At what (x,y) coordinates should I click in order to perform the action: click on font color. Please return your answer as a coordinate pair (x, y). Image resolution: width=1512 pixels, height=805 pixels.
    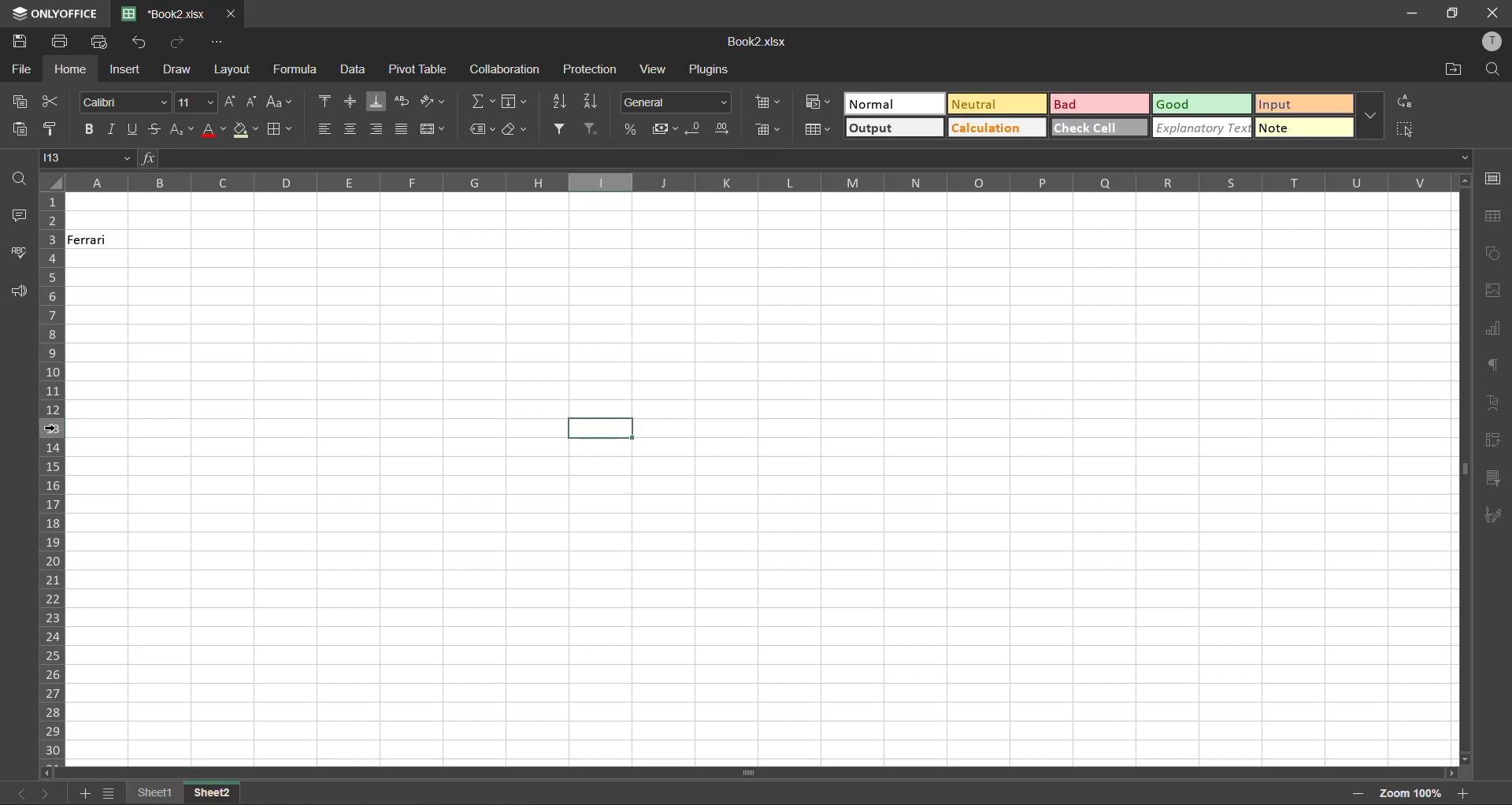
    Looking at the image, I should click on (213, 131).